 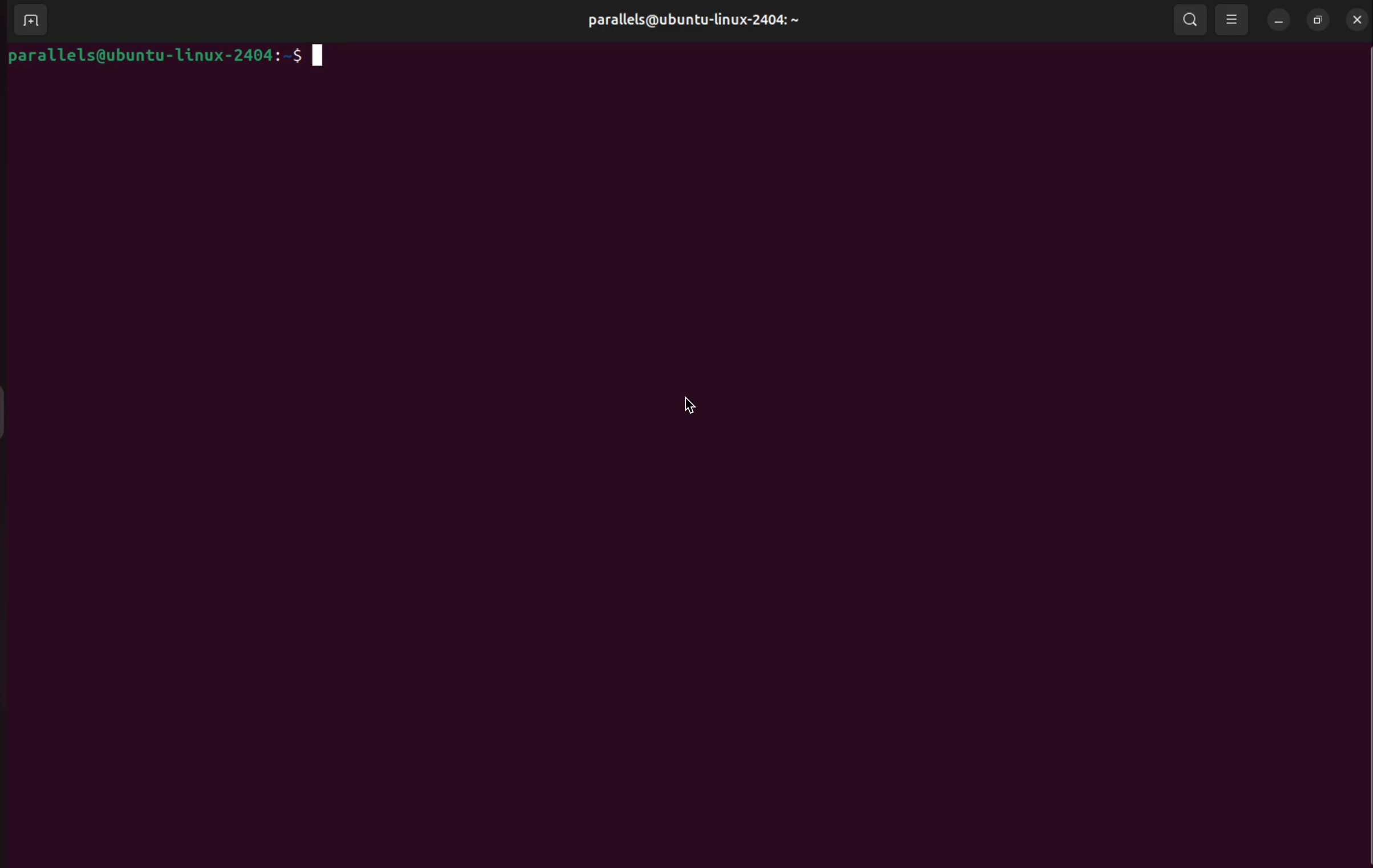 What do you see at coordinates (1278, 19) in the screenshot?
I see `minimize` at bounding box center [1278, 19].